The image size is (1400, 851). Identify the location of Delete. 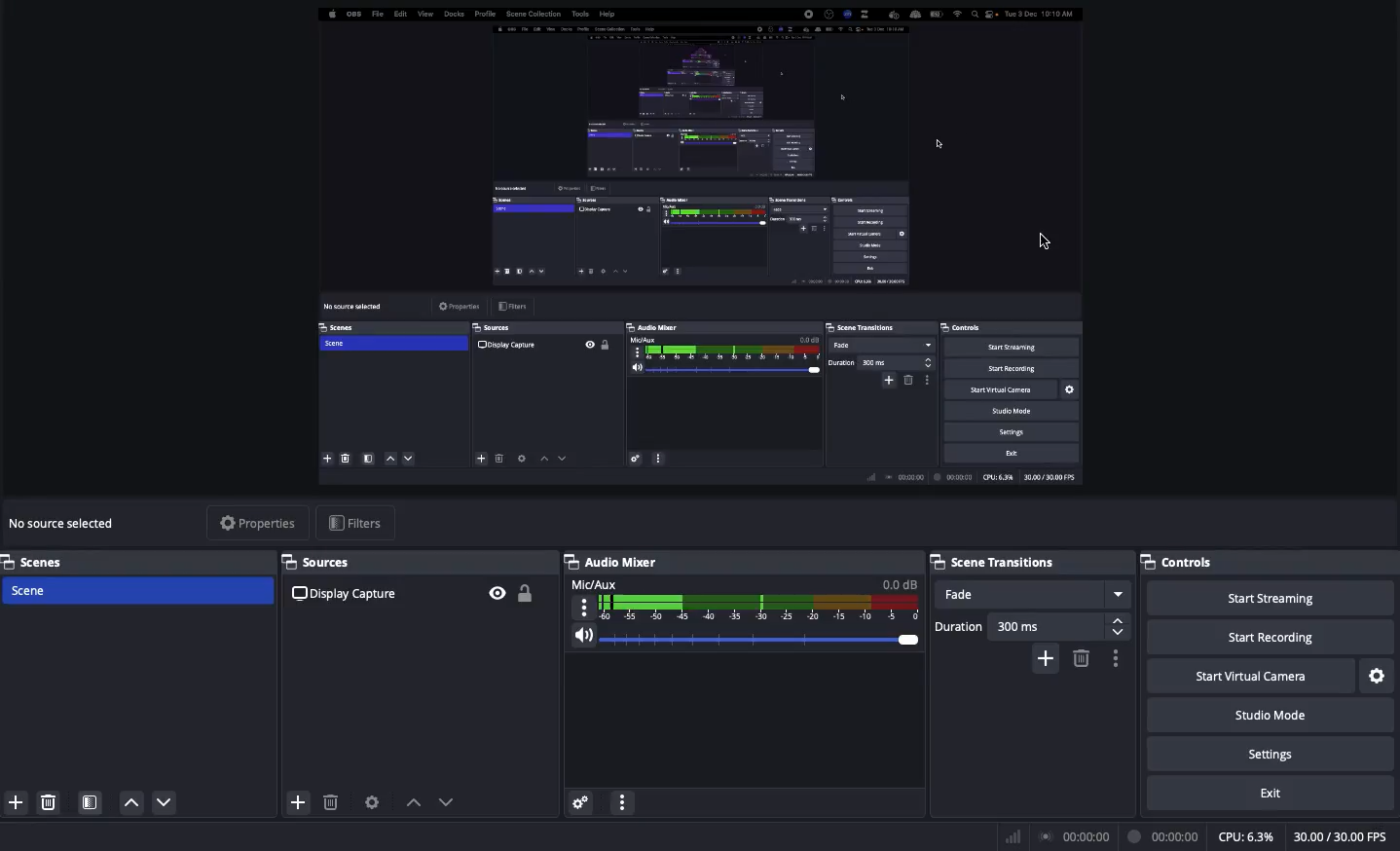
(1080, 658).